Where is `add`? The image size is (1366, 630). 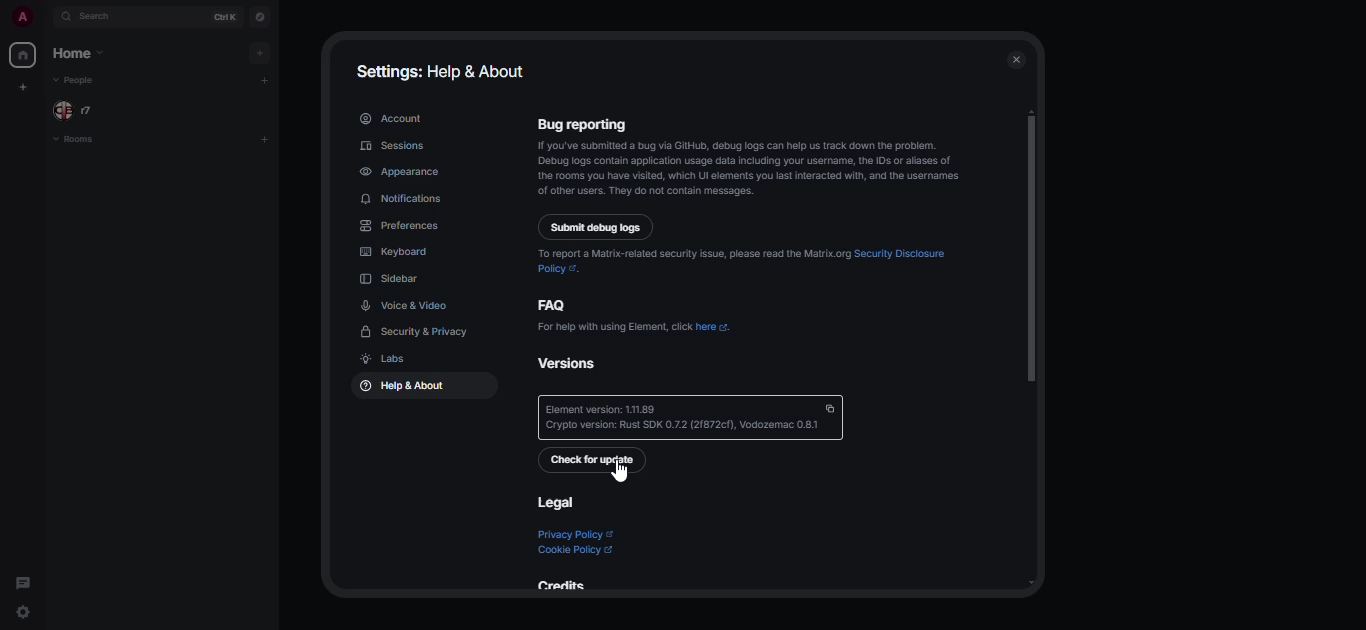 add is located at coordinates (262, 139).